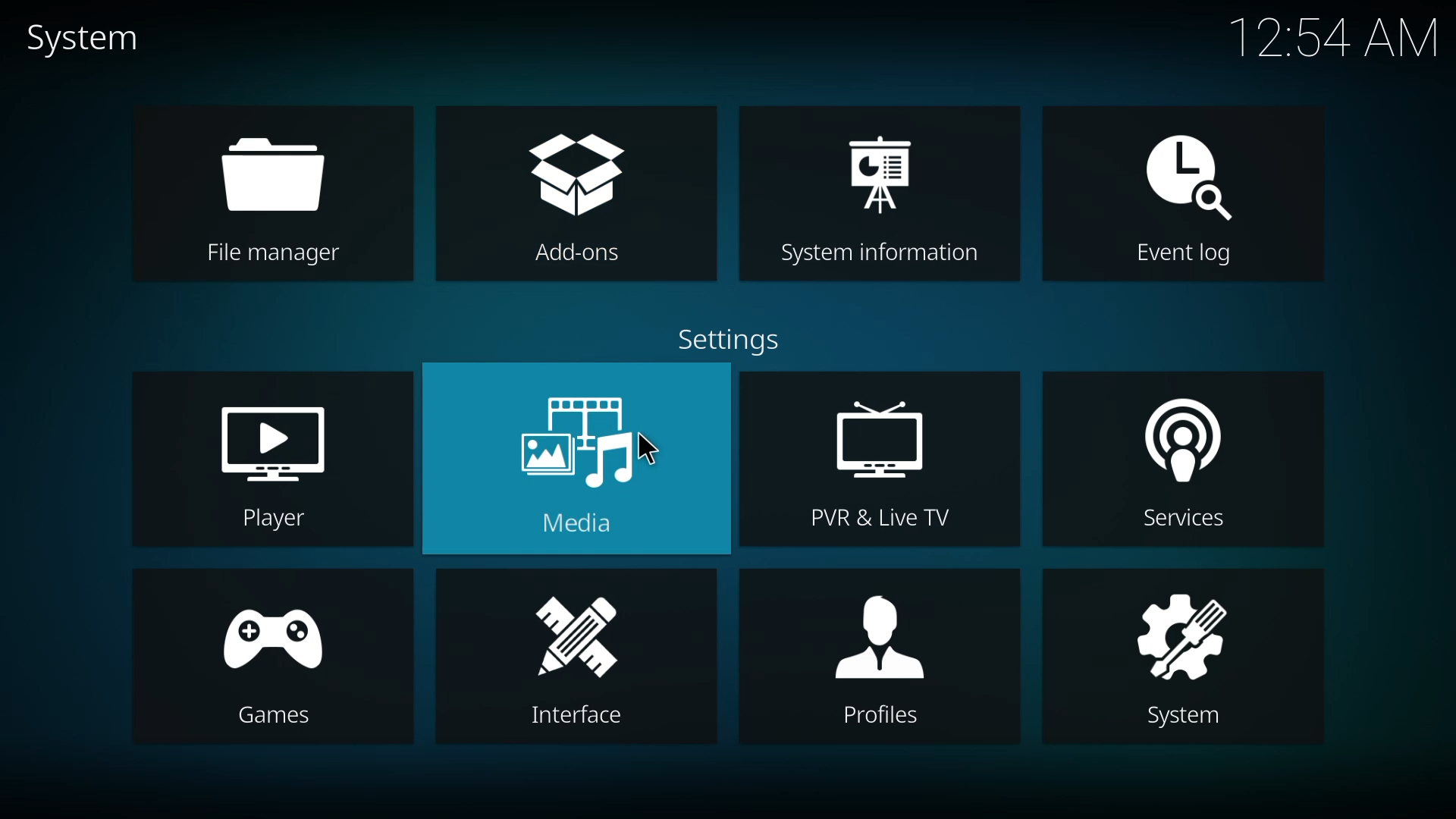  Describe the element at coordinates (885, 195) in the screenshot. I see `system information` at that location.